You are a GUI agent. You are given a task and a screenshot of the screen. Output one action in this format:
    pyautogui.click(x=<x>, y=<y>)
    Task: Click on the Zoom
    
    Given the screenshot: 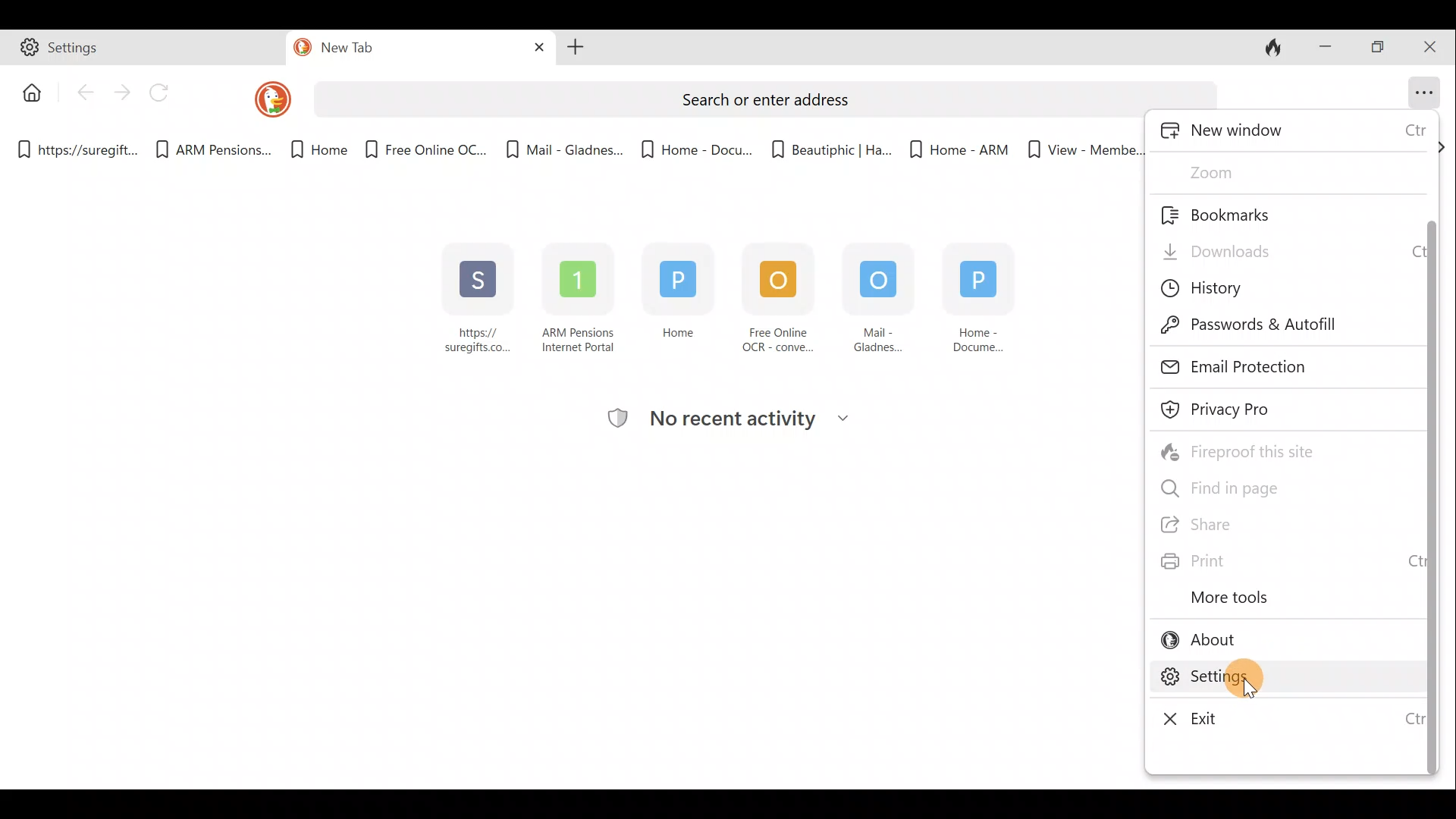 What is the action you would take?
    pyautogui.click(x=1247, y=171)
    